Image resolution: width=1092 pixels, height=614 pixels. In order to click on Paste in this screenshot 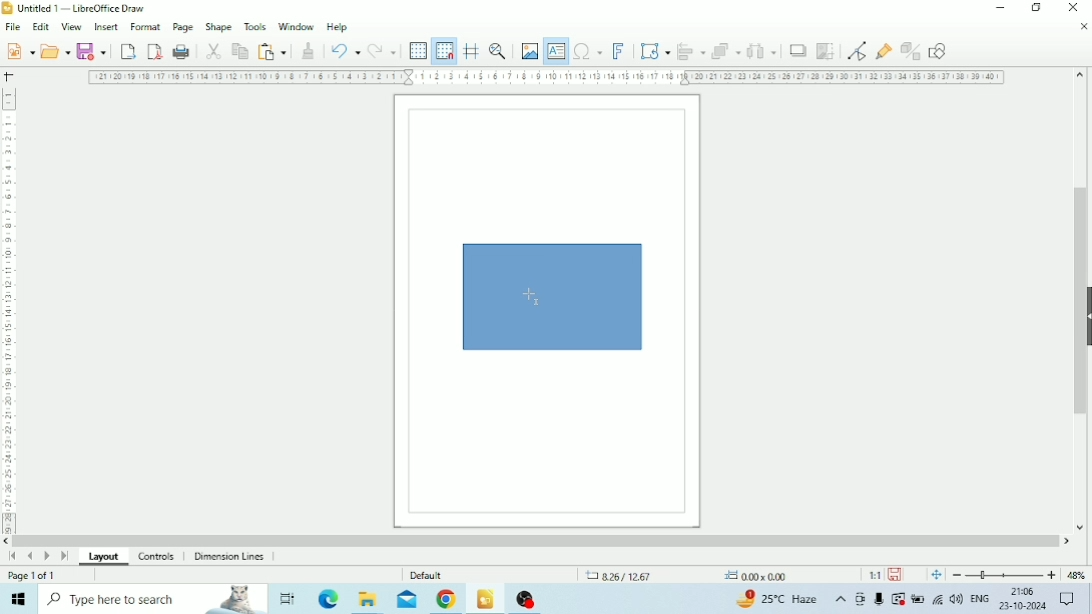, I will do `click(272, 52)`.